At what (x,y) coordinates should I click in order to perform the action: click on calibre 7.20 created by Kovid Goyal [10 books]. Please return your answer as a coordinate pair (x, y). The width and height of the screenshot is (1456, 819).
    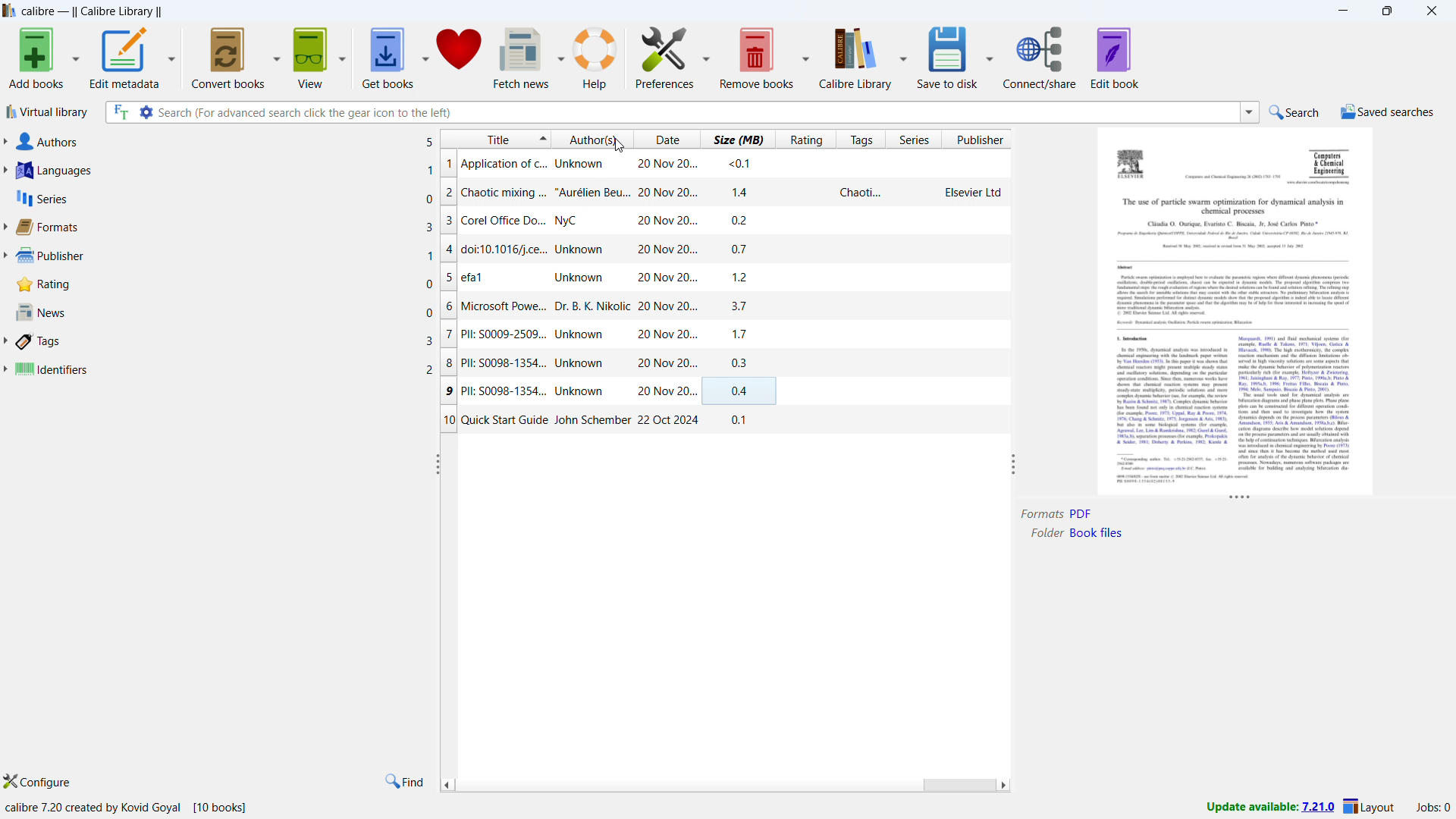
    Looking at the image, I should click on (129, 808).